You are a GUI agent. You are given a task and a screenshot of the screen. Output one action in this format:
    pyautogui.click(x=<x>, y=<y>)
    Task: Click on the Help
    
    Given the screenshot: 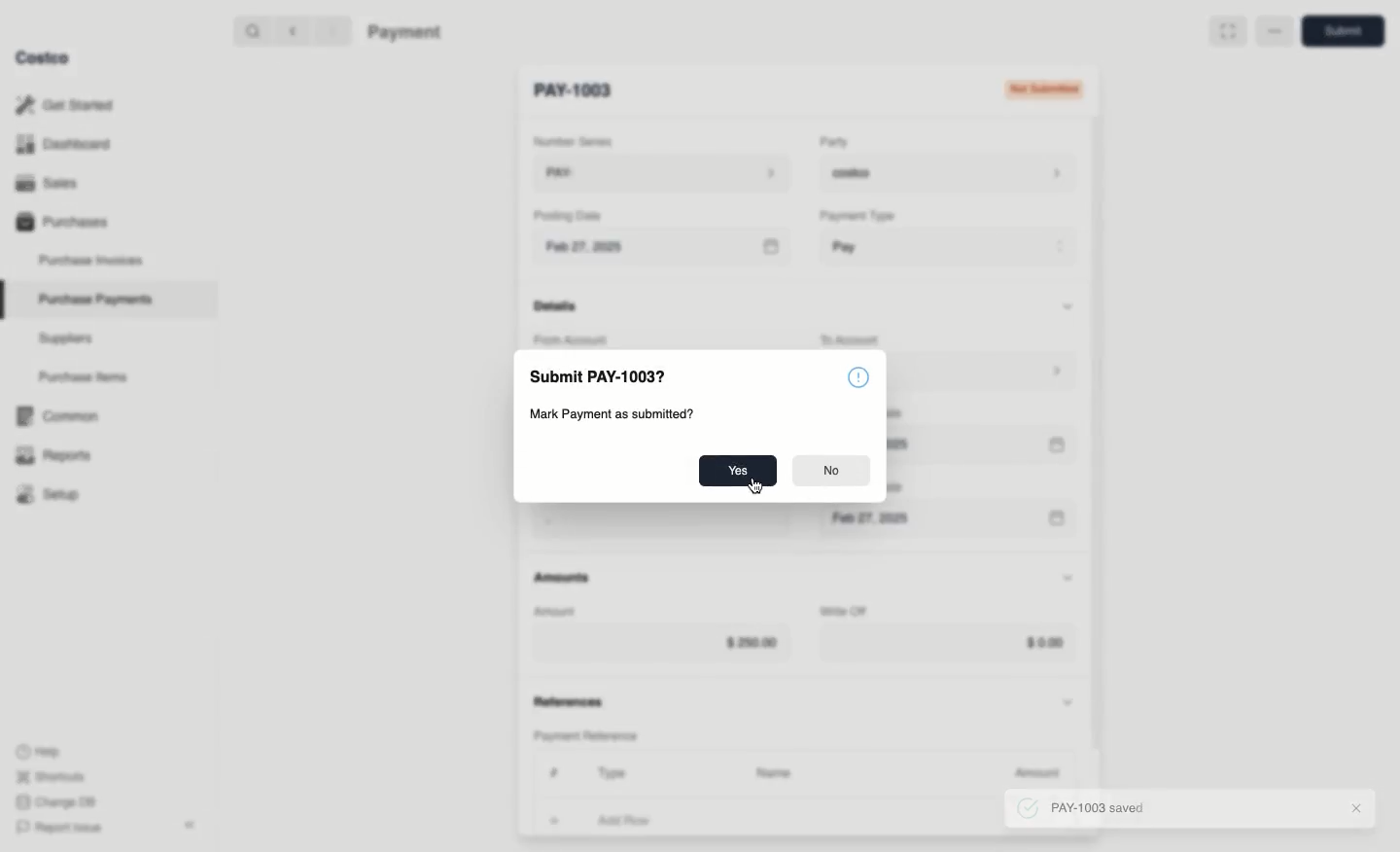 What is the action you would take?
    pyautogui.click(x=38, y=750)
    